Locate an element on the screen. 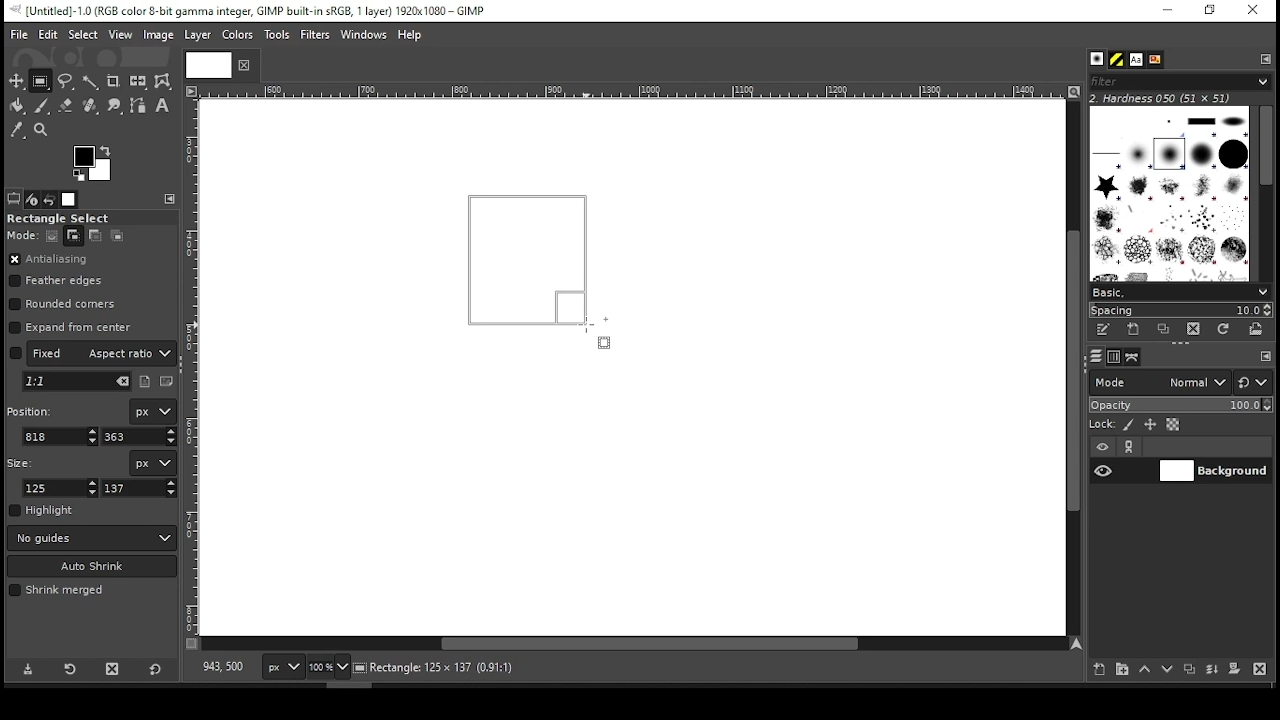 Image resolution: width=1280 pixels, height=720 pixels. unit is located at coordinates (154, 412).